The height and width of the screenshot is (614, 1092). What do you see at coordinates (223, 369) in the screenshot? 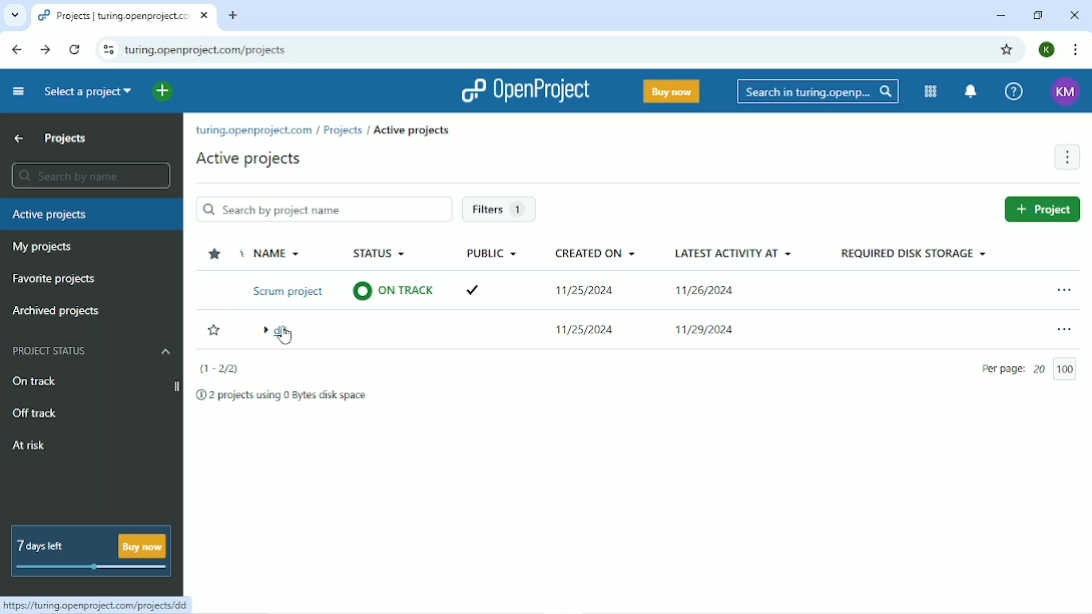
I see `(1-2/2)` at bounding box center [223, 369].